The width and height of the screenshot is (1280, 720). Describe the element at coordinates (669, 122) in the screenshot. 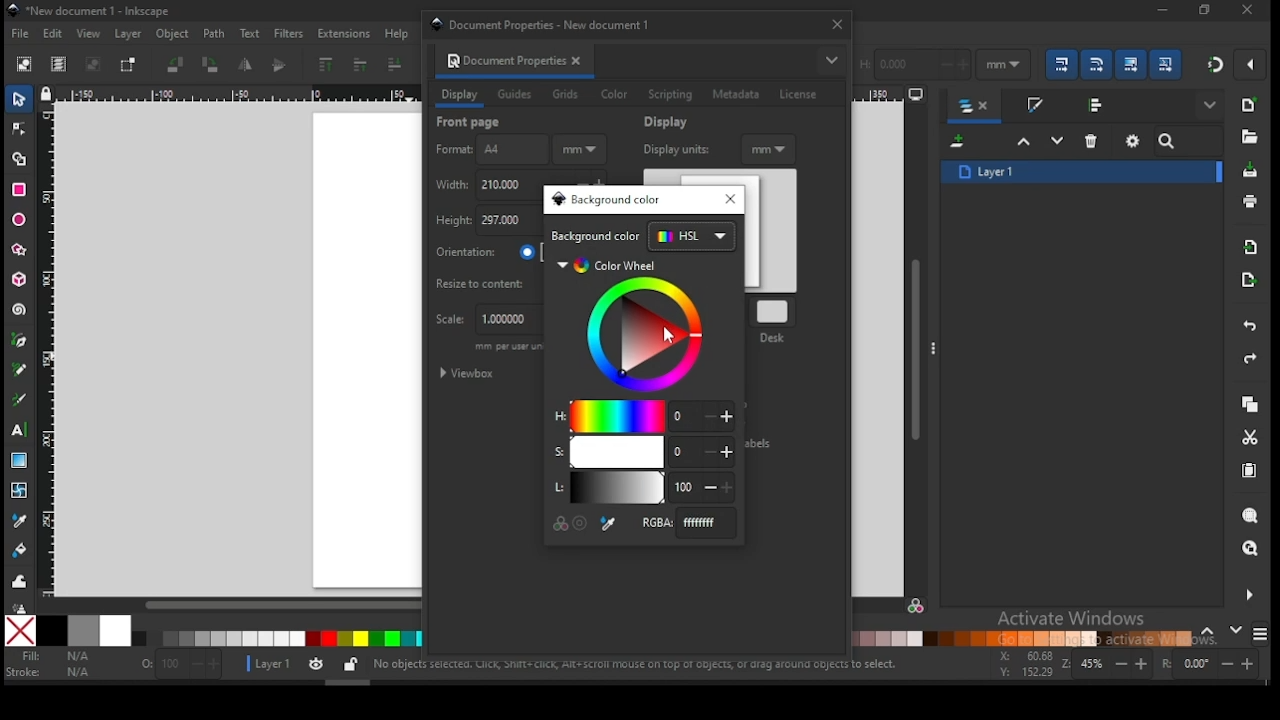

I see `display` at that location.